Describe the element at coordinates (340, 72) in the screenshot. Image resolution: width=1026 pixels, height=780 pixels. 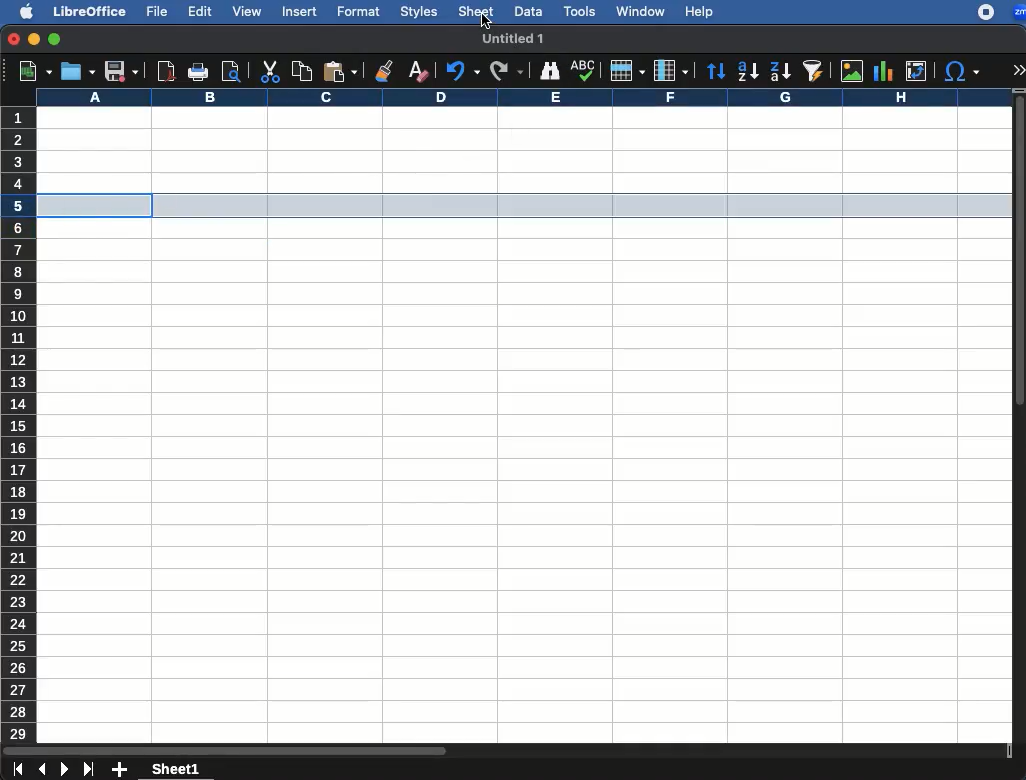
I see `paste` at that location.